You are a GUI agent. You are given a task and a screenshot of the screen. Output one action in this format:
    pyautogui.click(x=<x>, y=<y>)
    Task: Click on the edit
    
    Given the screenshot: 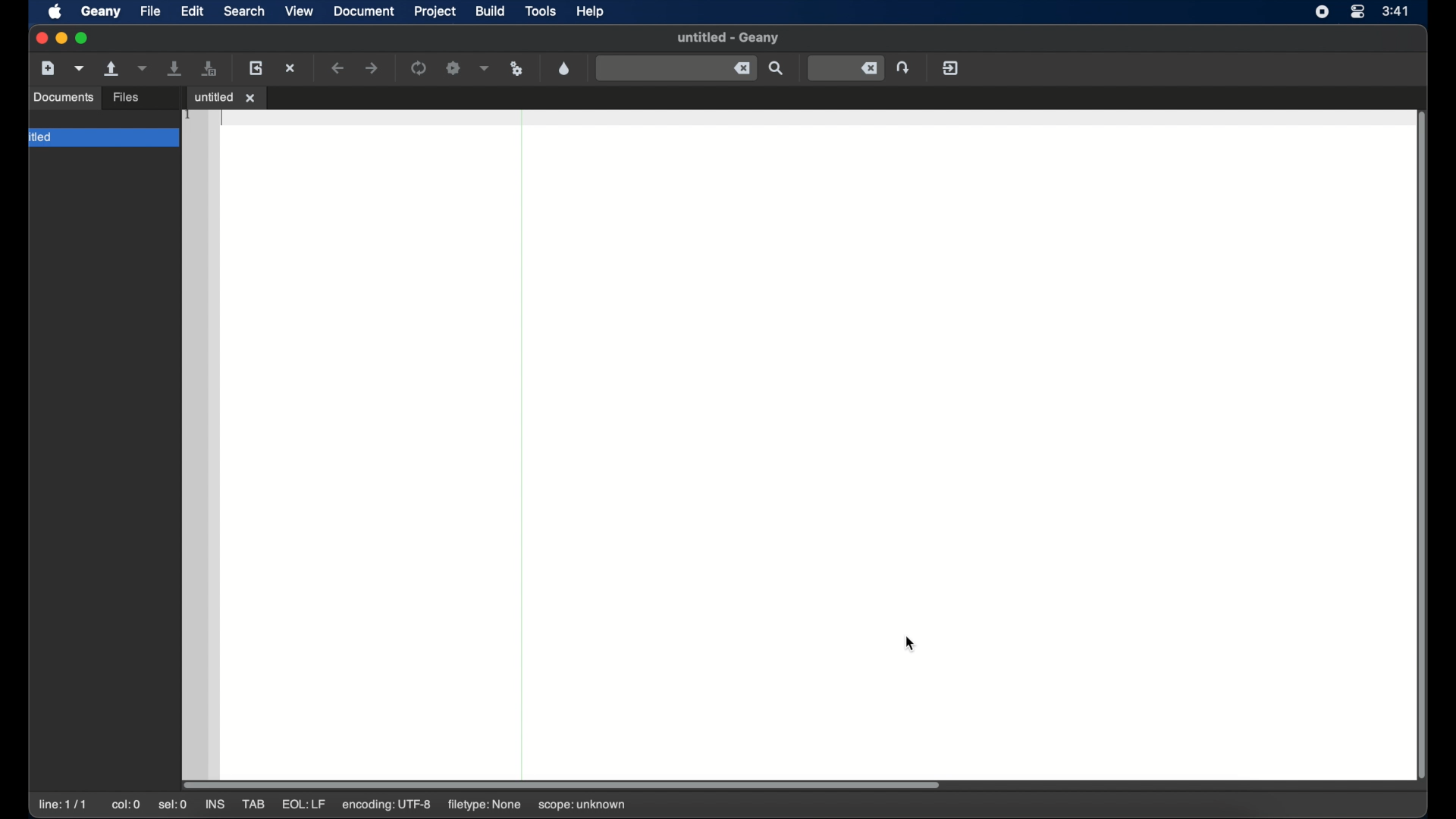 What is the action you would take?
    pyautogui.click(x=193, y=12)
    